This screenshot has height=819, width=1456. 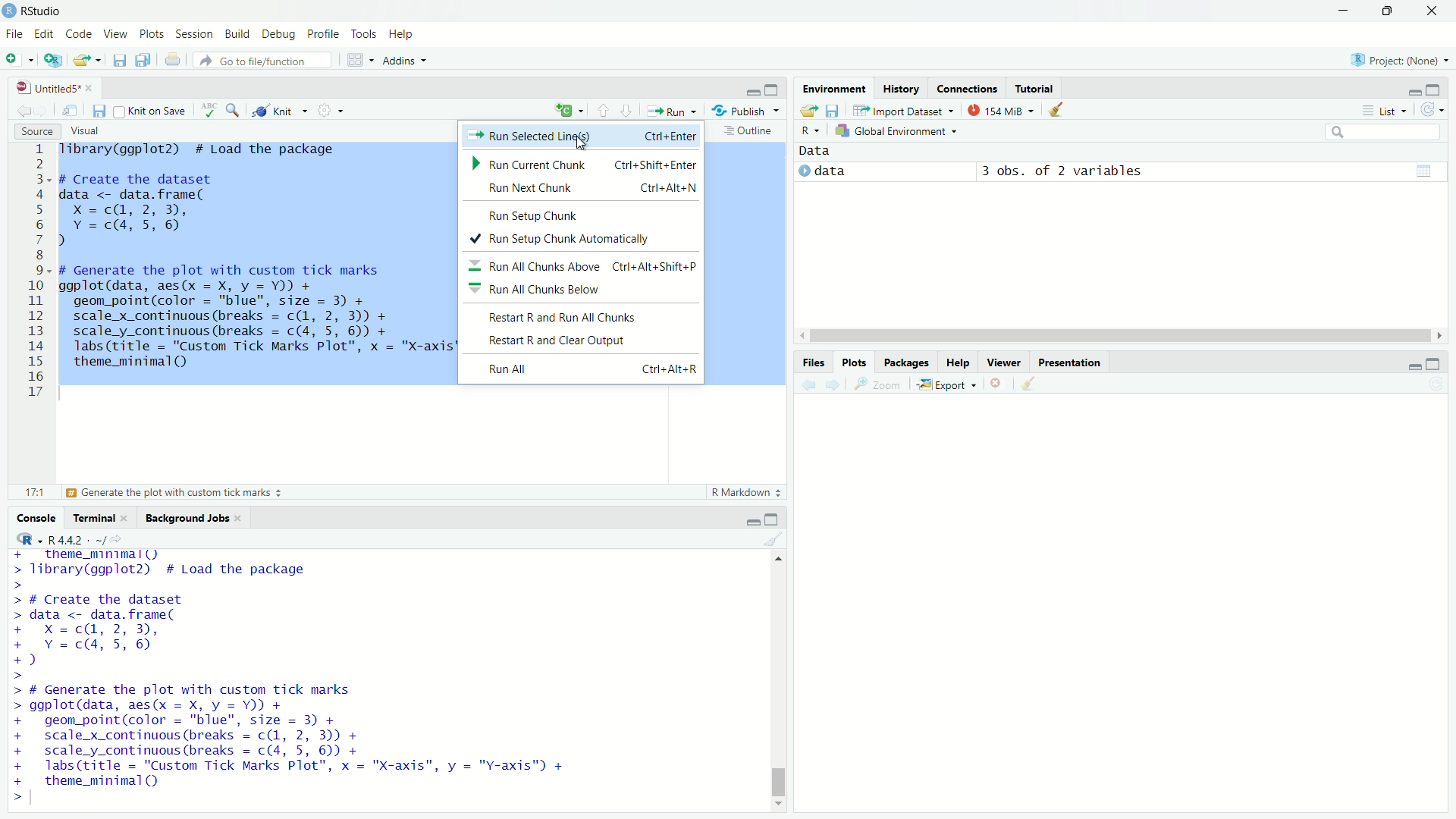 What do you see at coordinates (1340, 11) in the screenshot?
I see `minimize` at bounding box center [1340, 11].